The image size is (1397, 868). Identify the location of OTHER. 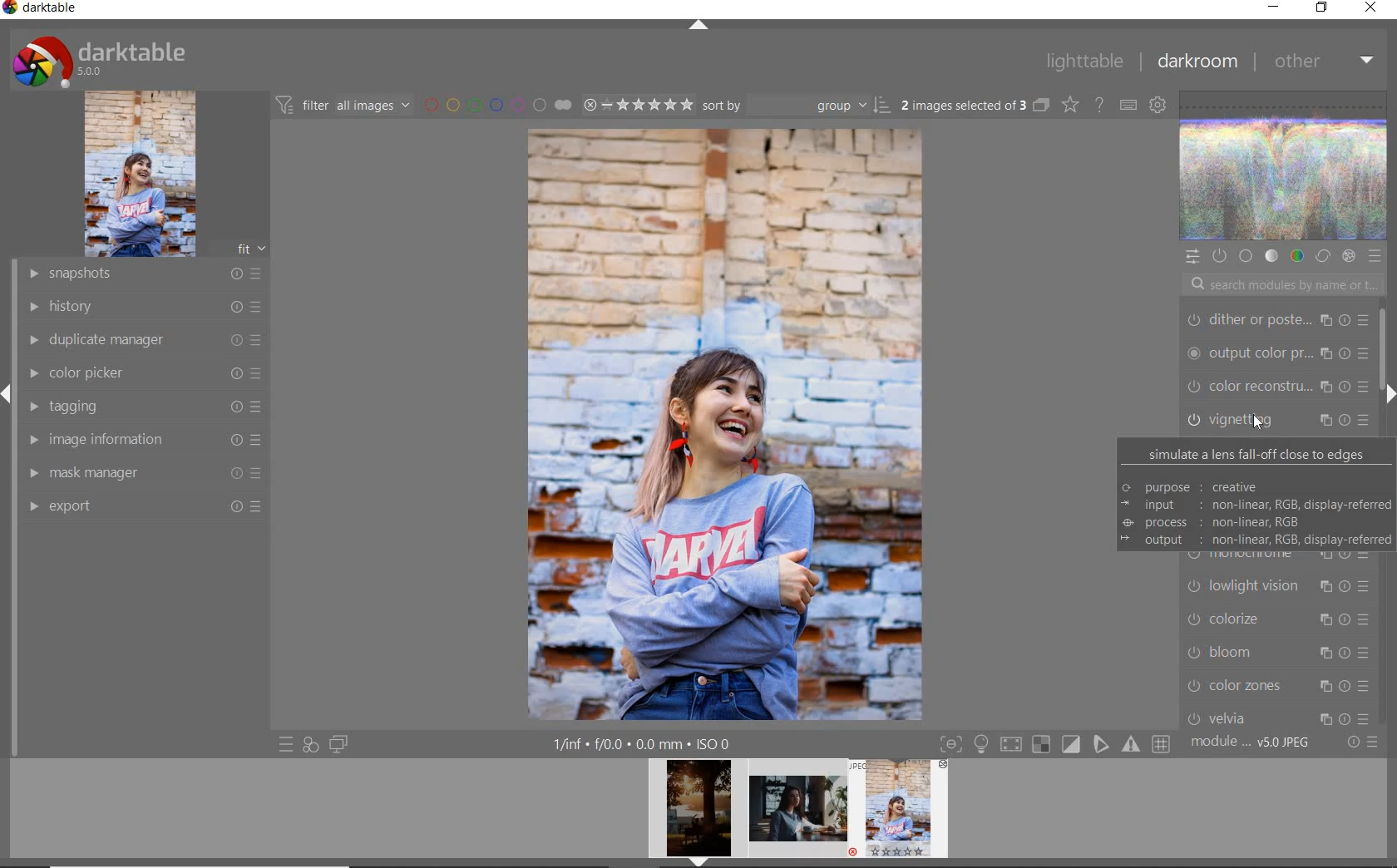
(1324, 61).